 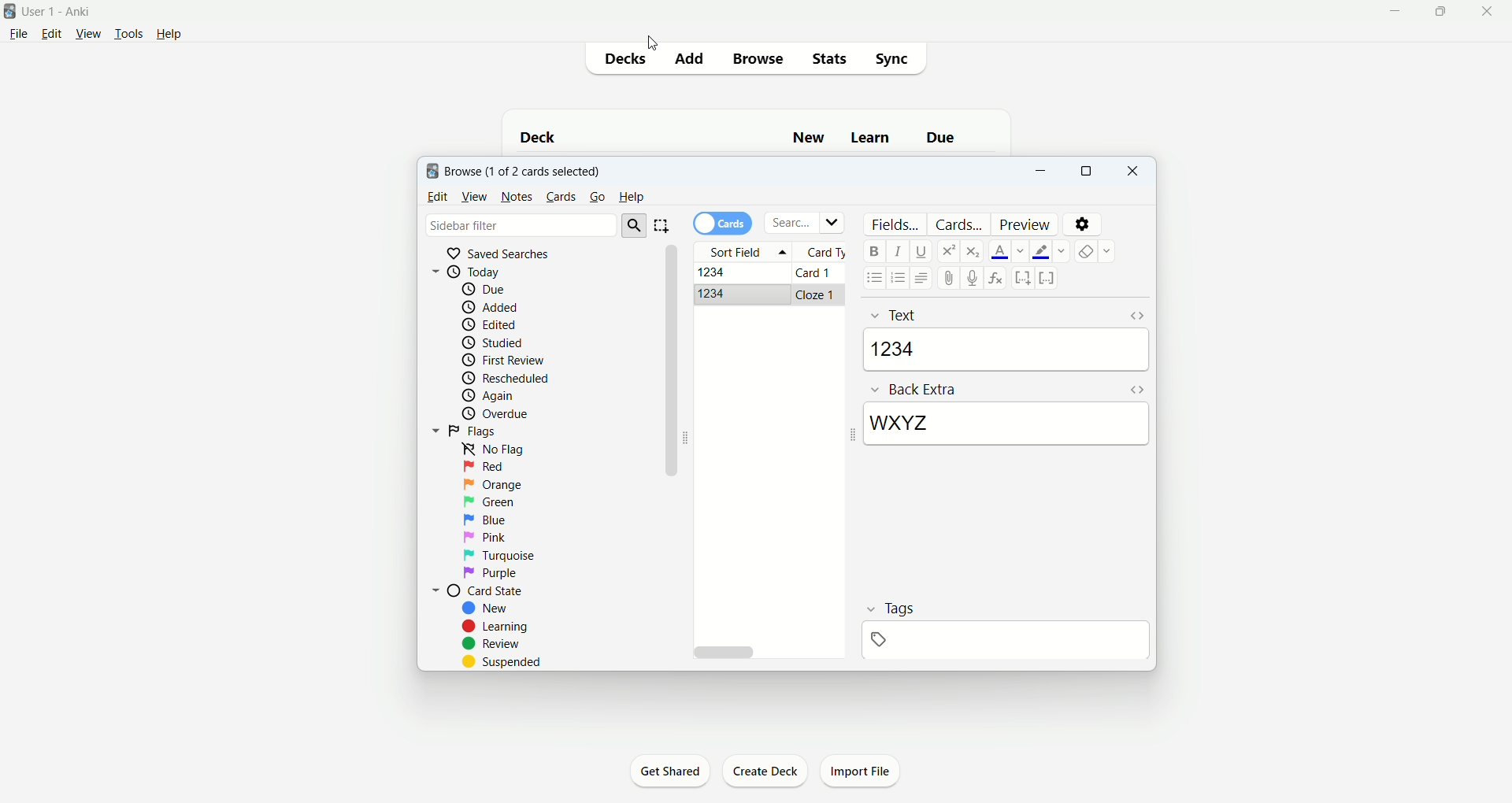 I want to click on bold, so click(x=875, y=252).